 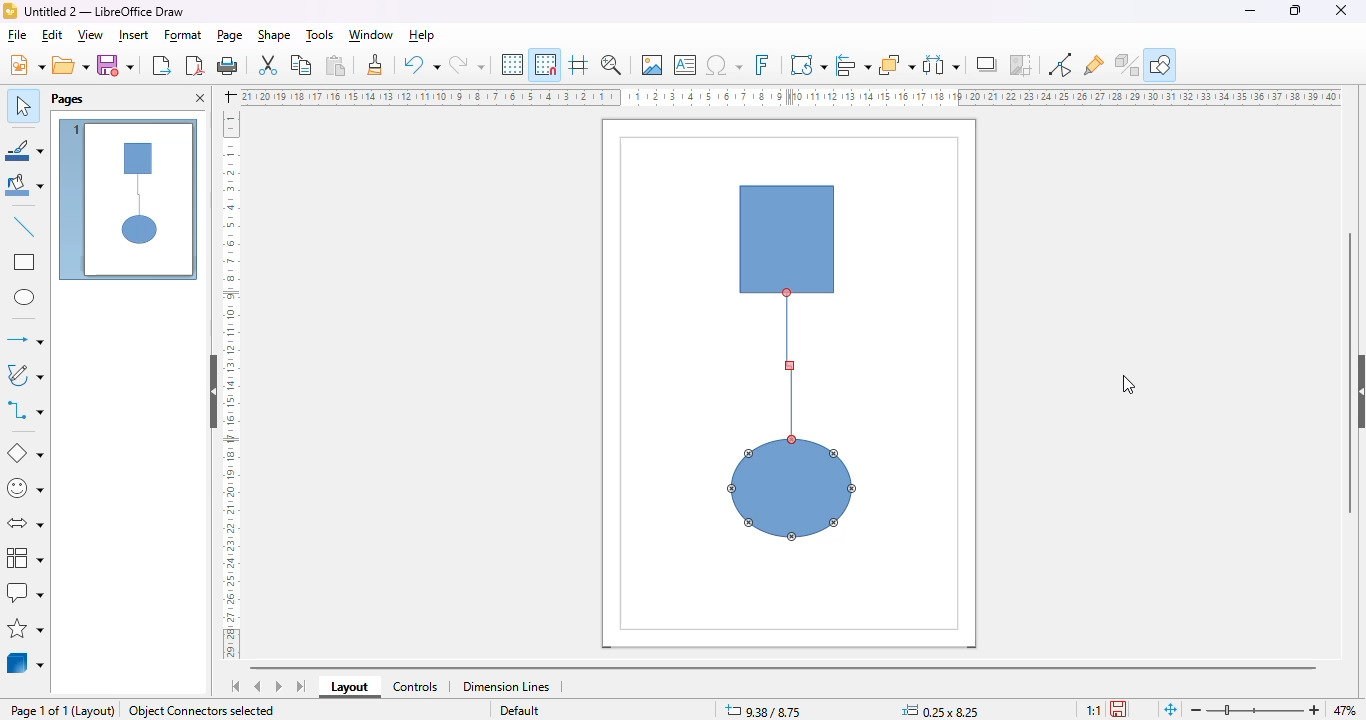 I want to click on controls, so click(x=416, y=687).